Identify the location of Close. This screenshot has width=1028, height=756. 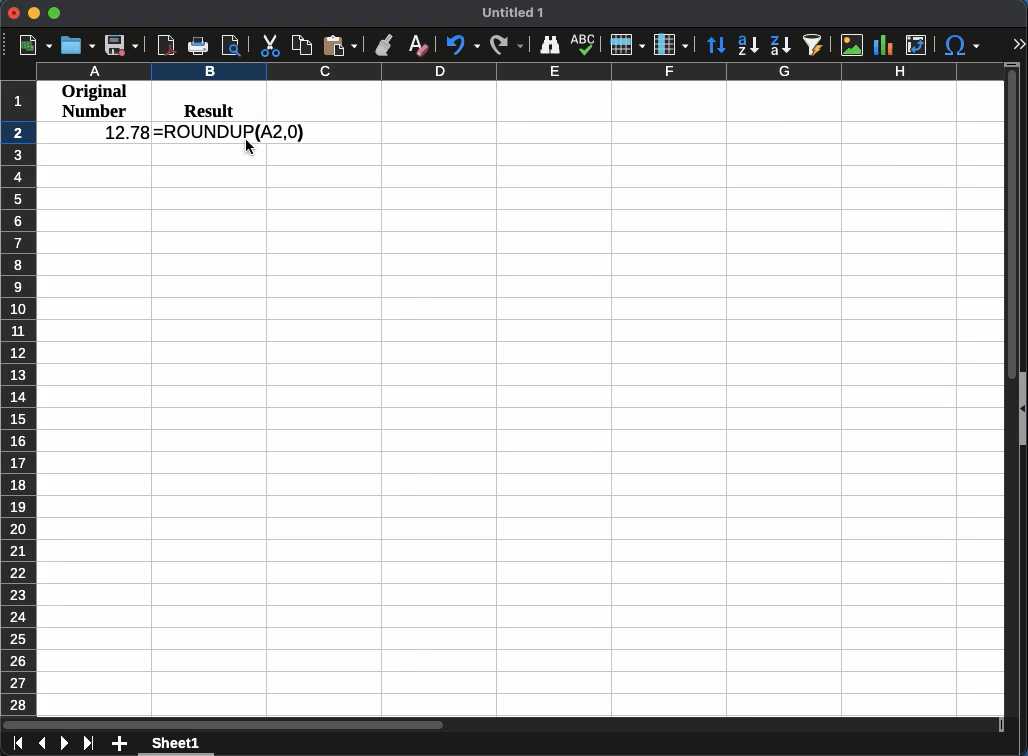
(14, 13).